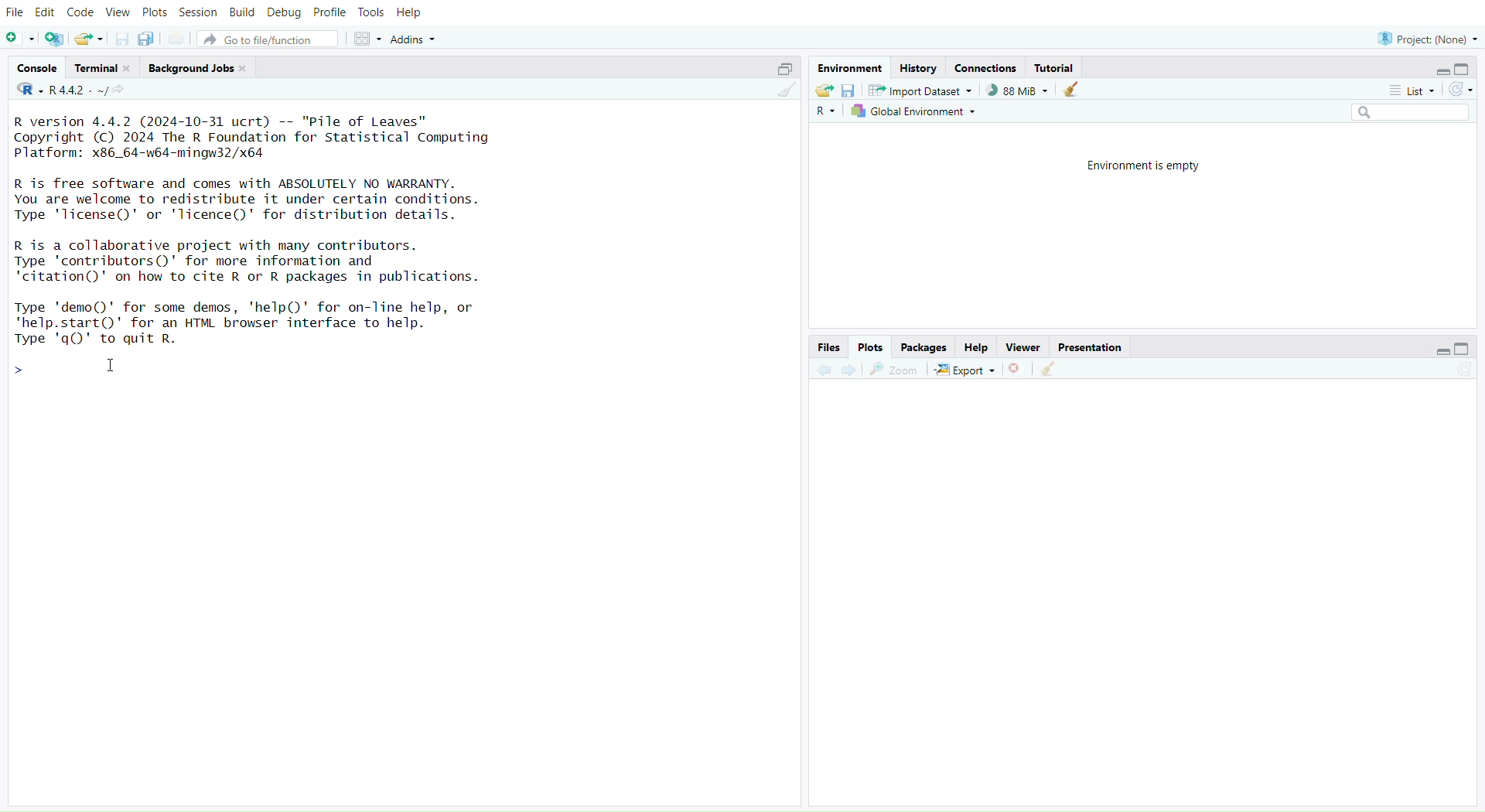  I want to click on view, so click(117, 12).